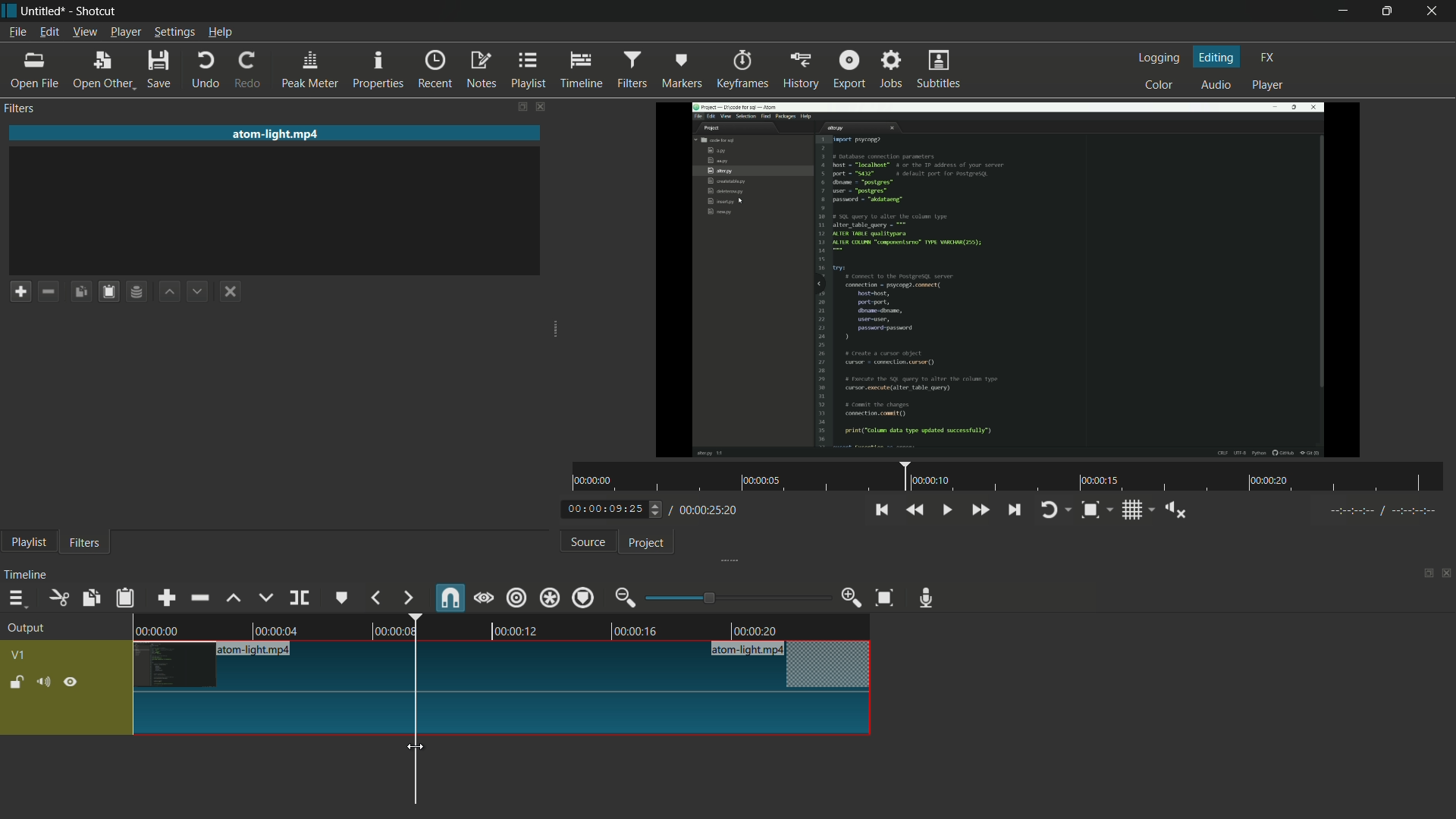 Image resolution: width=1456 pixels, height=819 pixels. What do you see at coordinates (881, 510) in the screenshot?
I see `skip to the previous point` at bounding box center [881, 510].